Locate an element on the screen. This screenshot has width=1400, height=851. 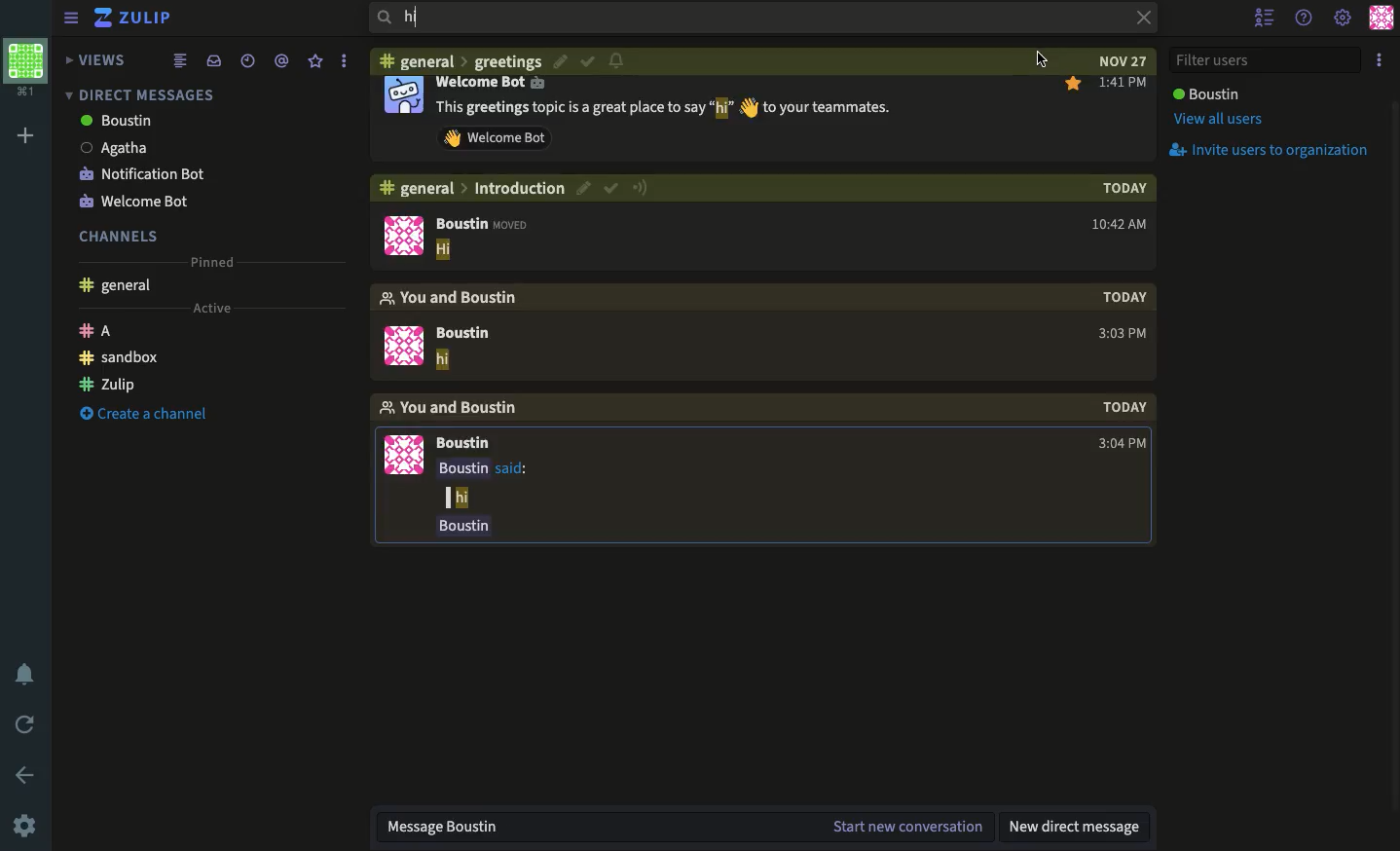
display picture is located at coordinates (403, 235).